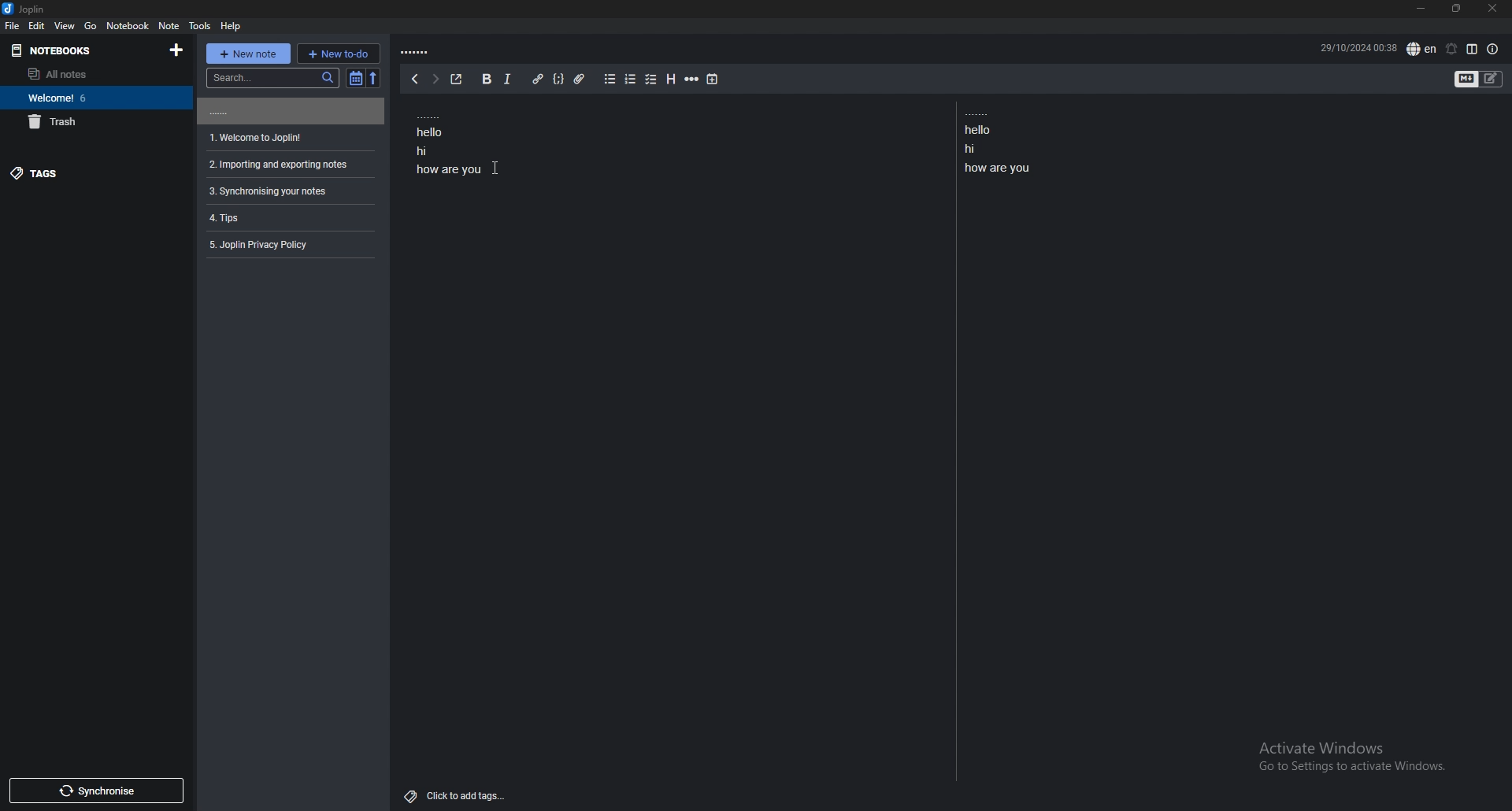 The height and width of the screenshot is (811, 1512). What do you see at coordinates (579, 80) in the screenshot?
I see `add attachment` at bounding box center [579, 80].